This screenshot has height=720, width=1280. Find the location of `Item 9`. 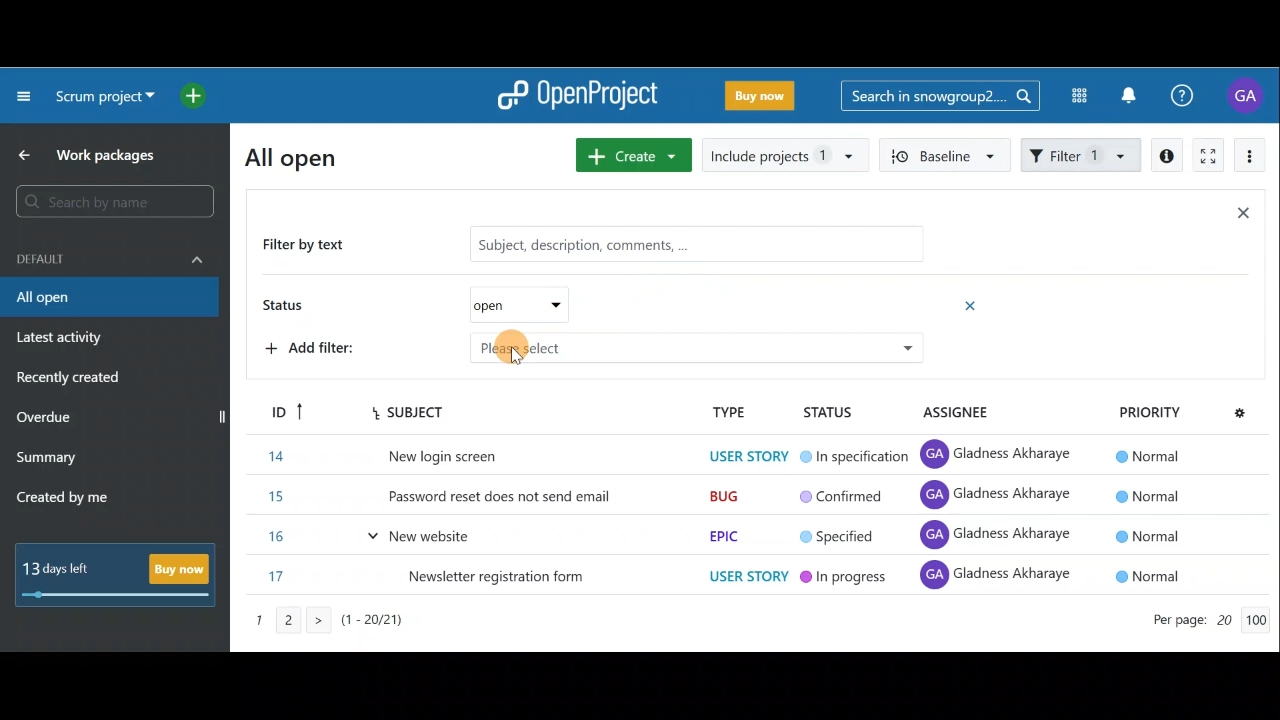

Item 9 is located at coordinates (733, 577).